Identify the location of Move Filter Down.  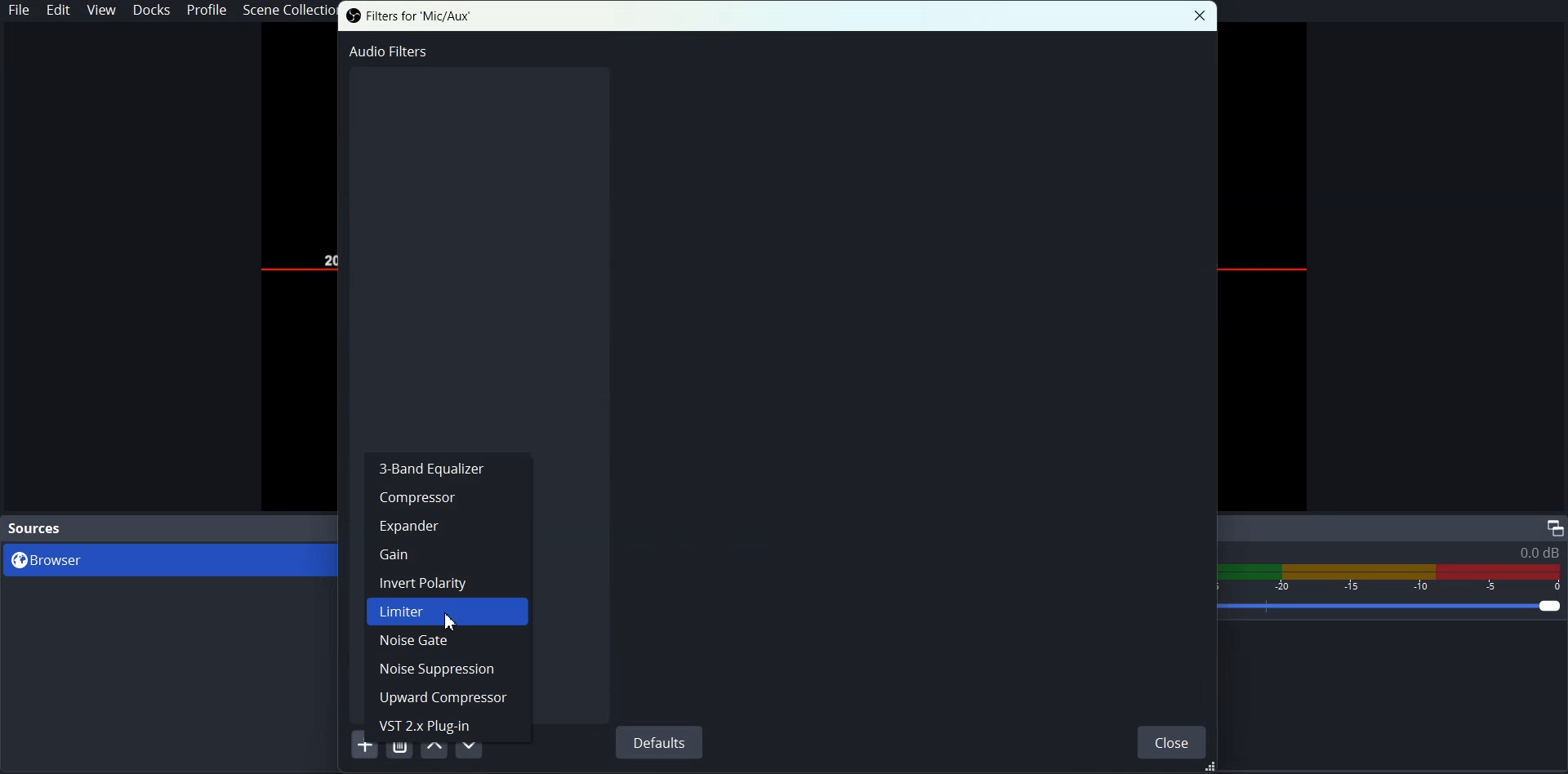
(469, 750).